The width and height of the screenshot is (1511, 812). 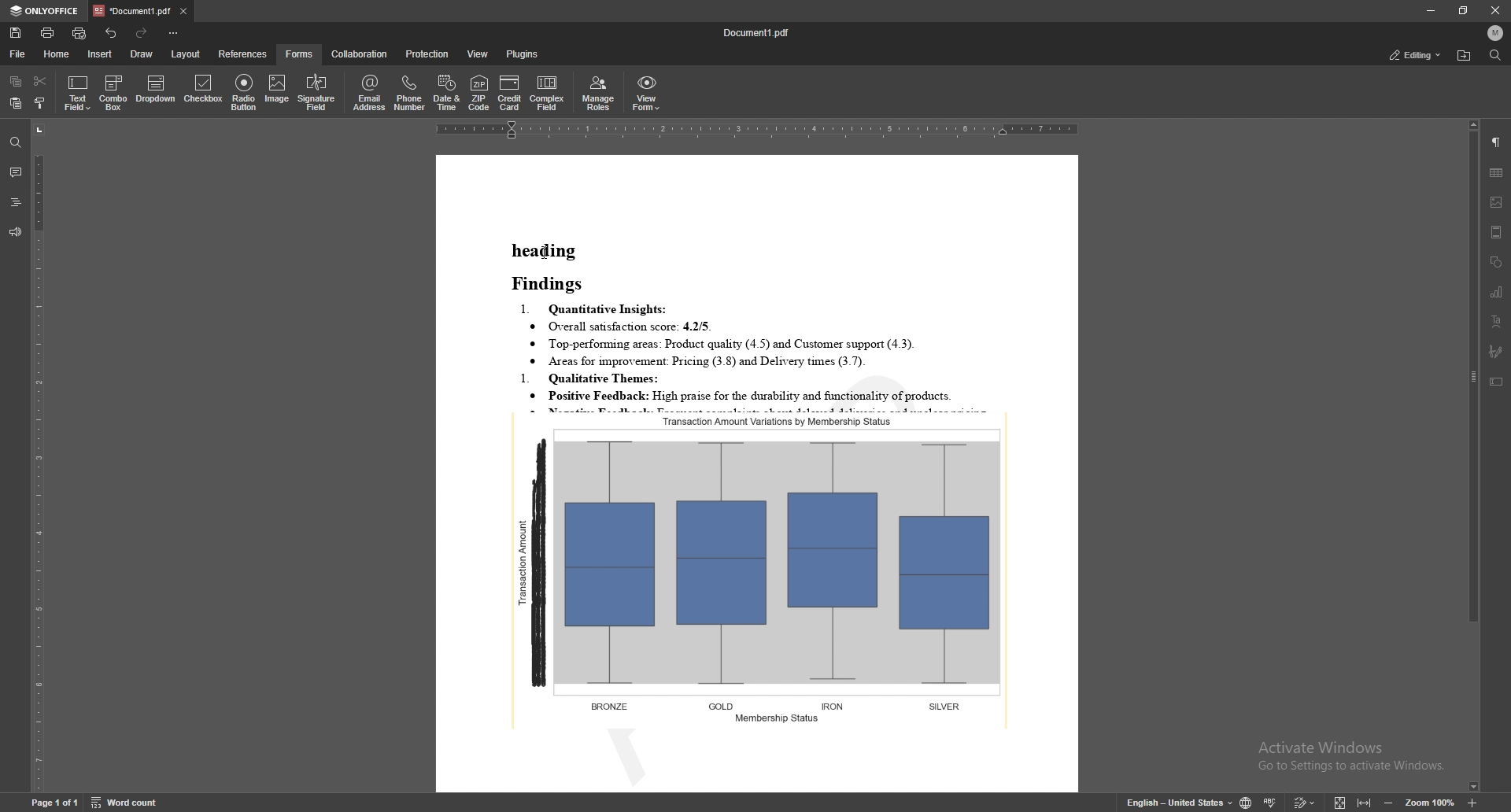 What do you see at coordinates (428, 54) in the screenshot?
I see `protection` at bounding box center [428, 54].